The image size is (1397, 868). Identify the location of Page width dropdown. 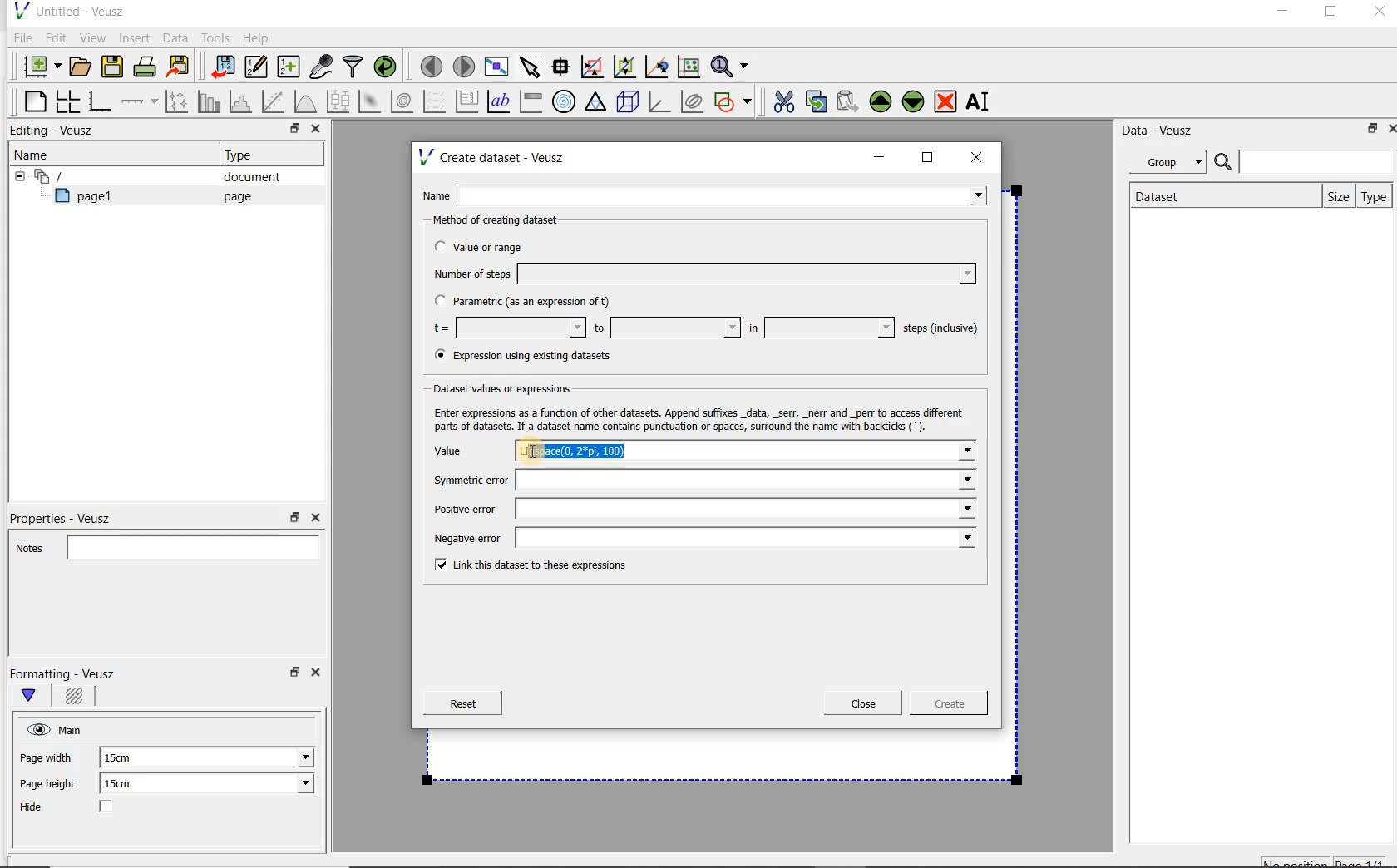
(287, 757).